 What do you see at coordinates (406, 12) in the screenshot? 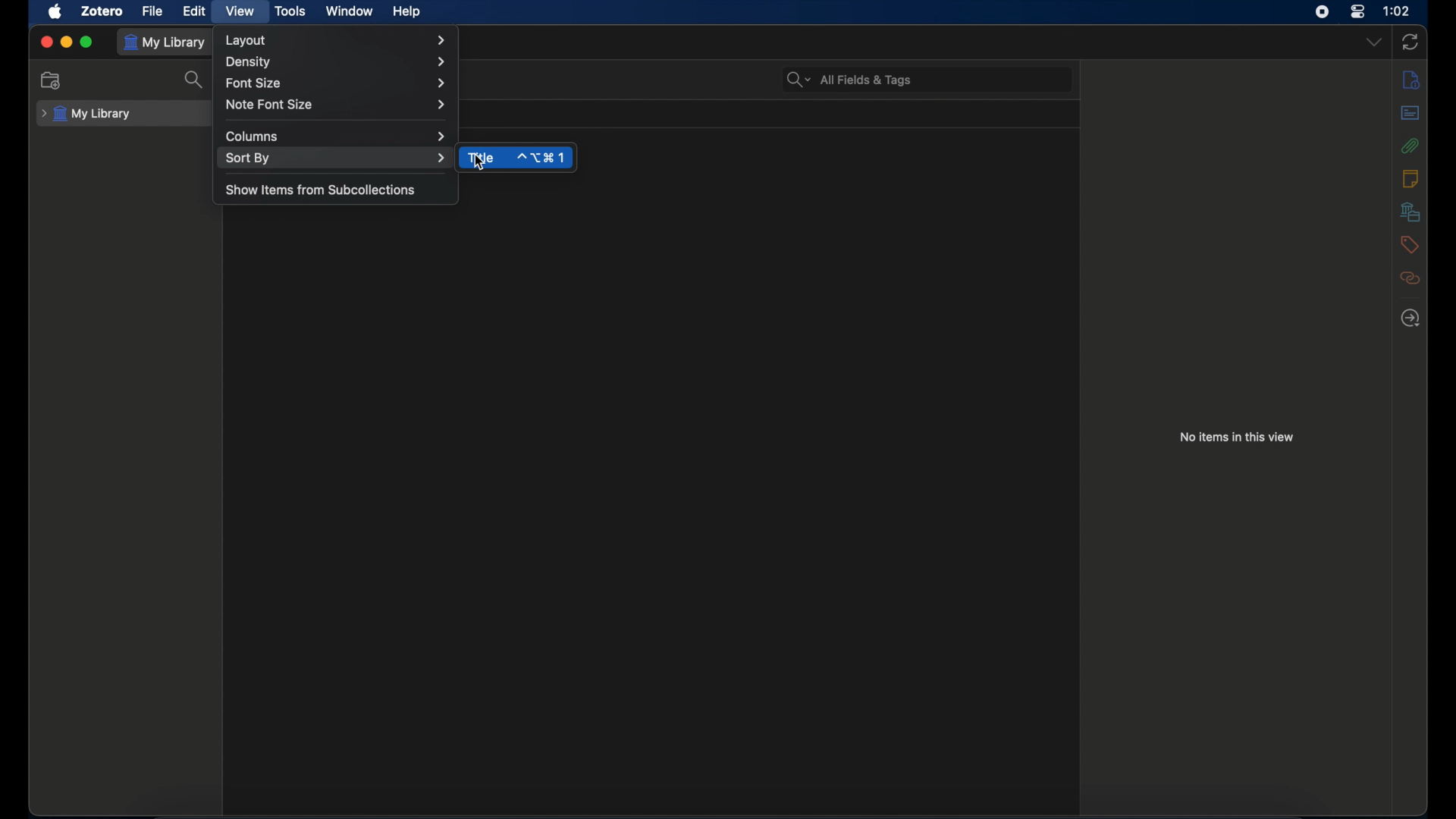
I see `help` at bounding box center [406, 12].